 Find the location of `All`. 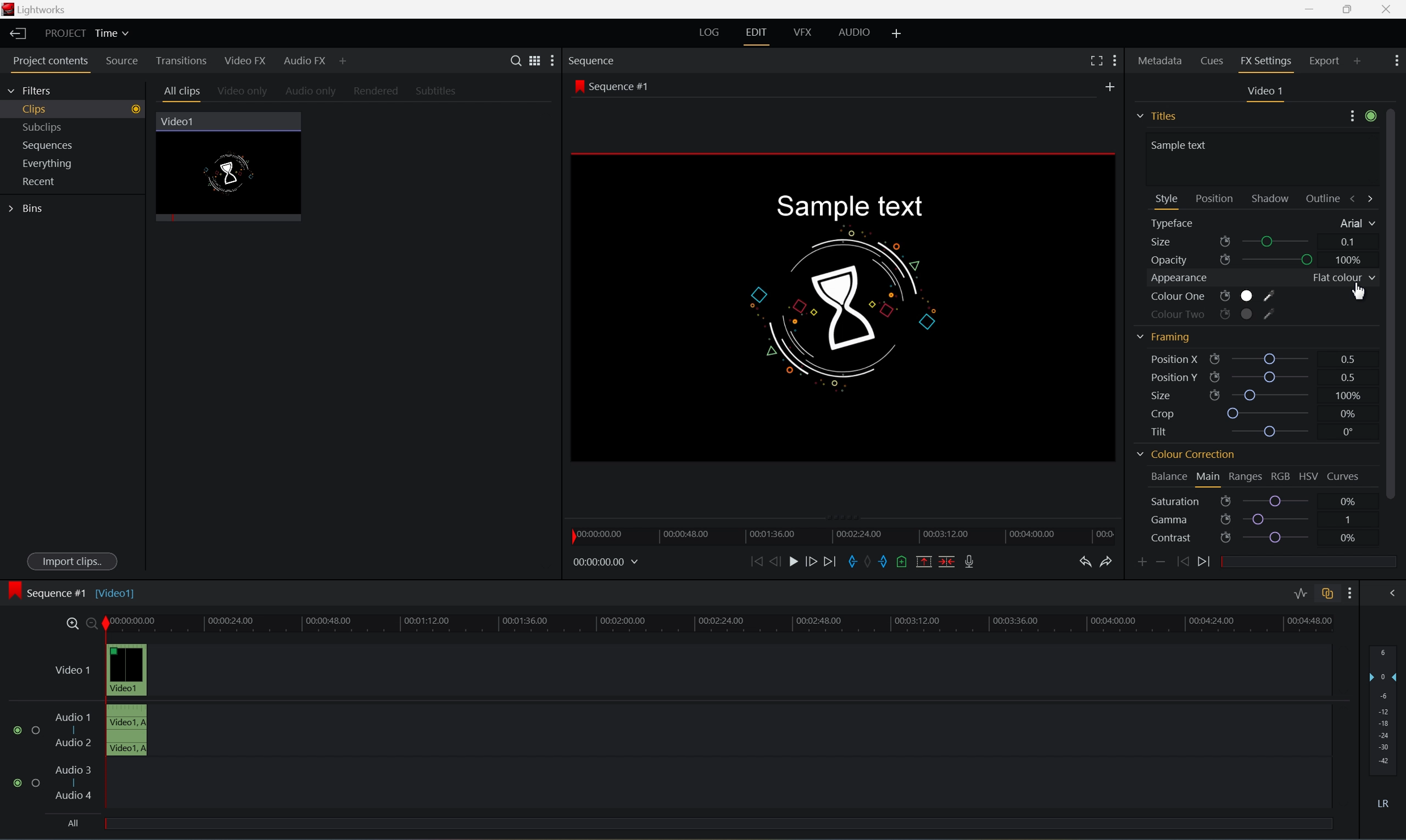

All is located at coordinates (73, 821).